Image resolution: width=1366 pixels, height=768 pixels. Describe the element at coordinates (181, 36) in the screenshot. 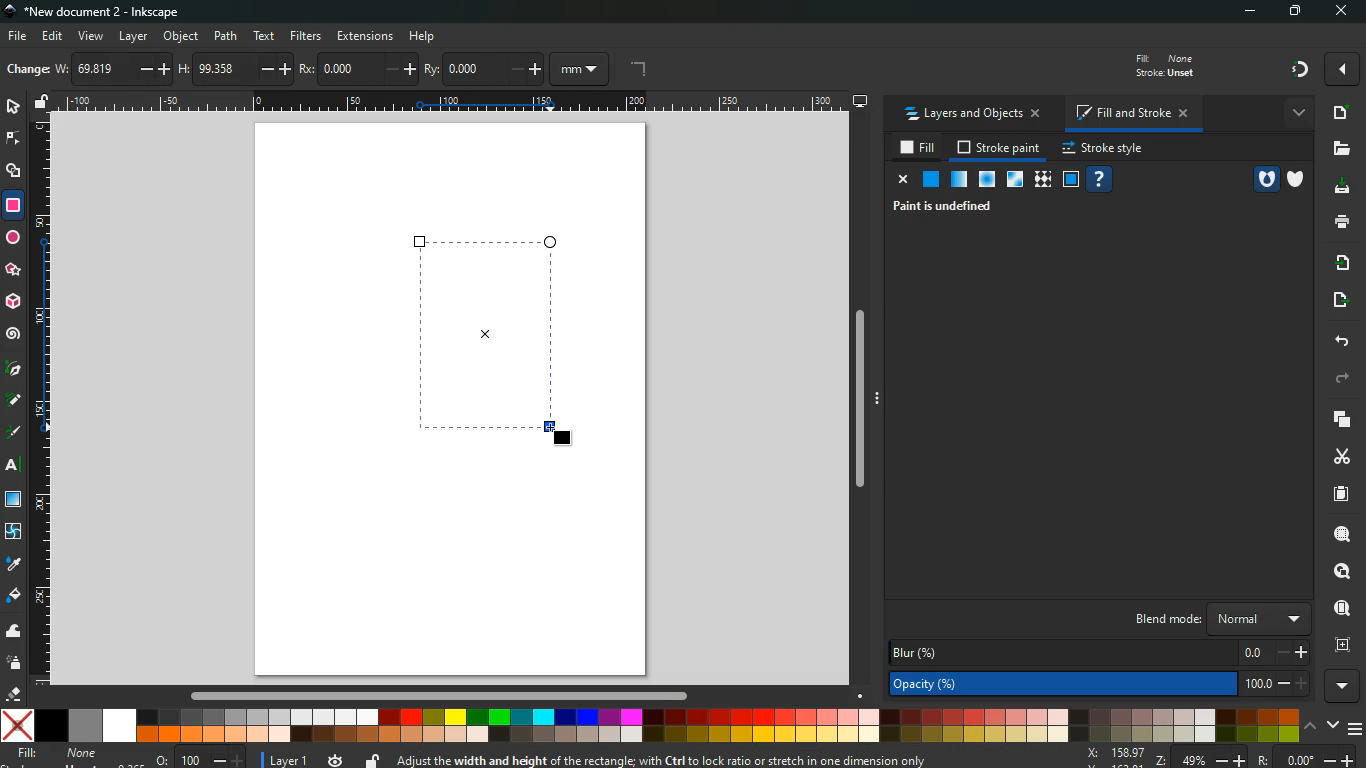

I see `object` at that location.